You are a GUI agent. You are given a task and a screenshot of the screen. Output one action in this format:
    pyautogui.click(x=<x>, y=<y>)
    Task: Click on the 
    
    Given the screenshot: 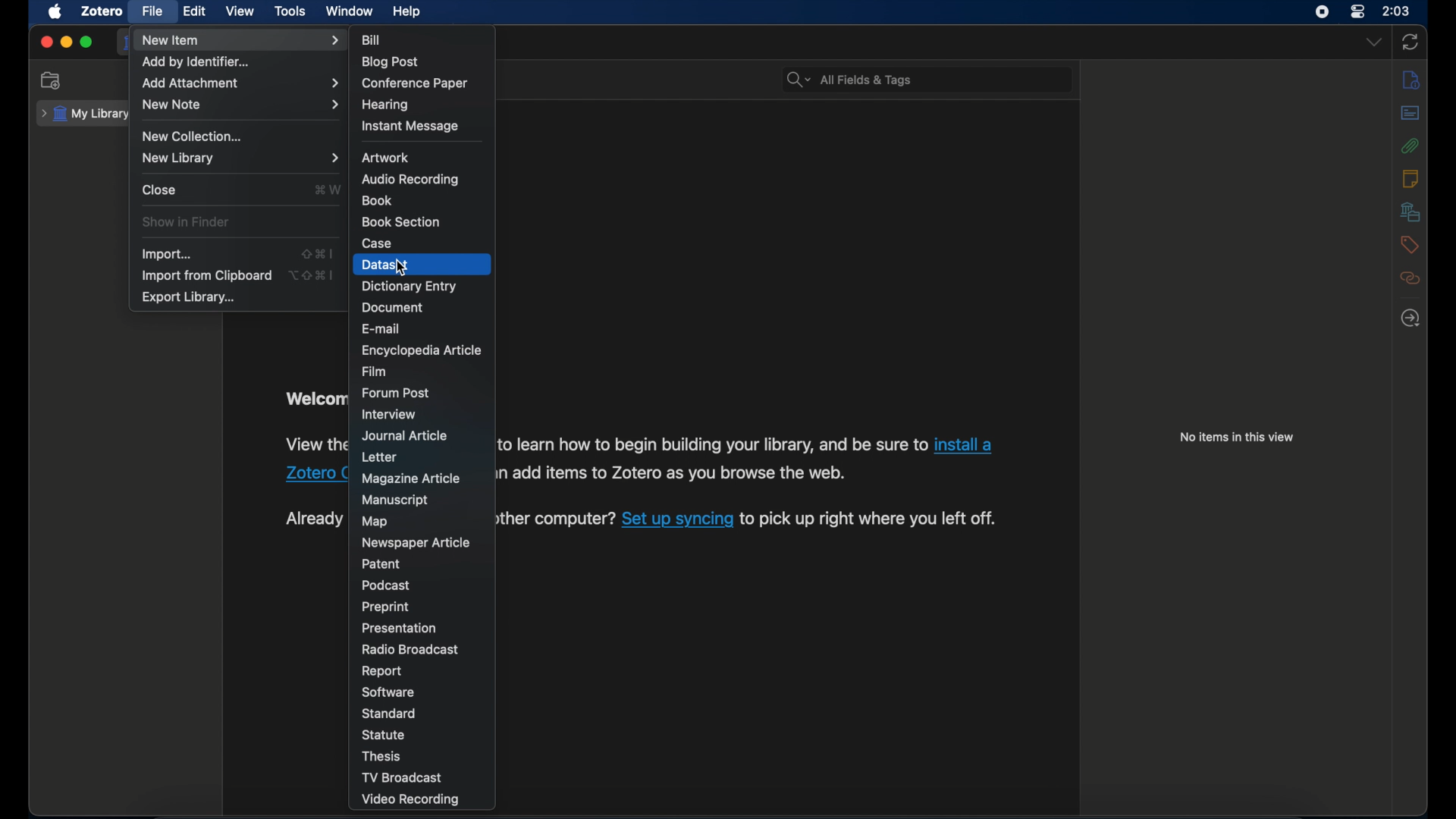 What is the action you would take?
    pyautogui.click(x=676, y=519)
    